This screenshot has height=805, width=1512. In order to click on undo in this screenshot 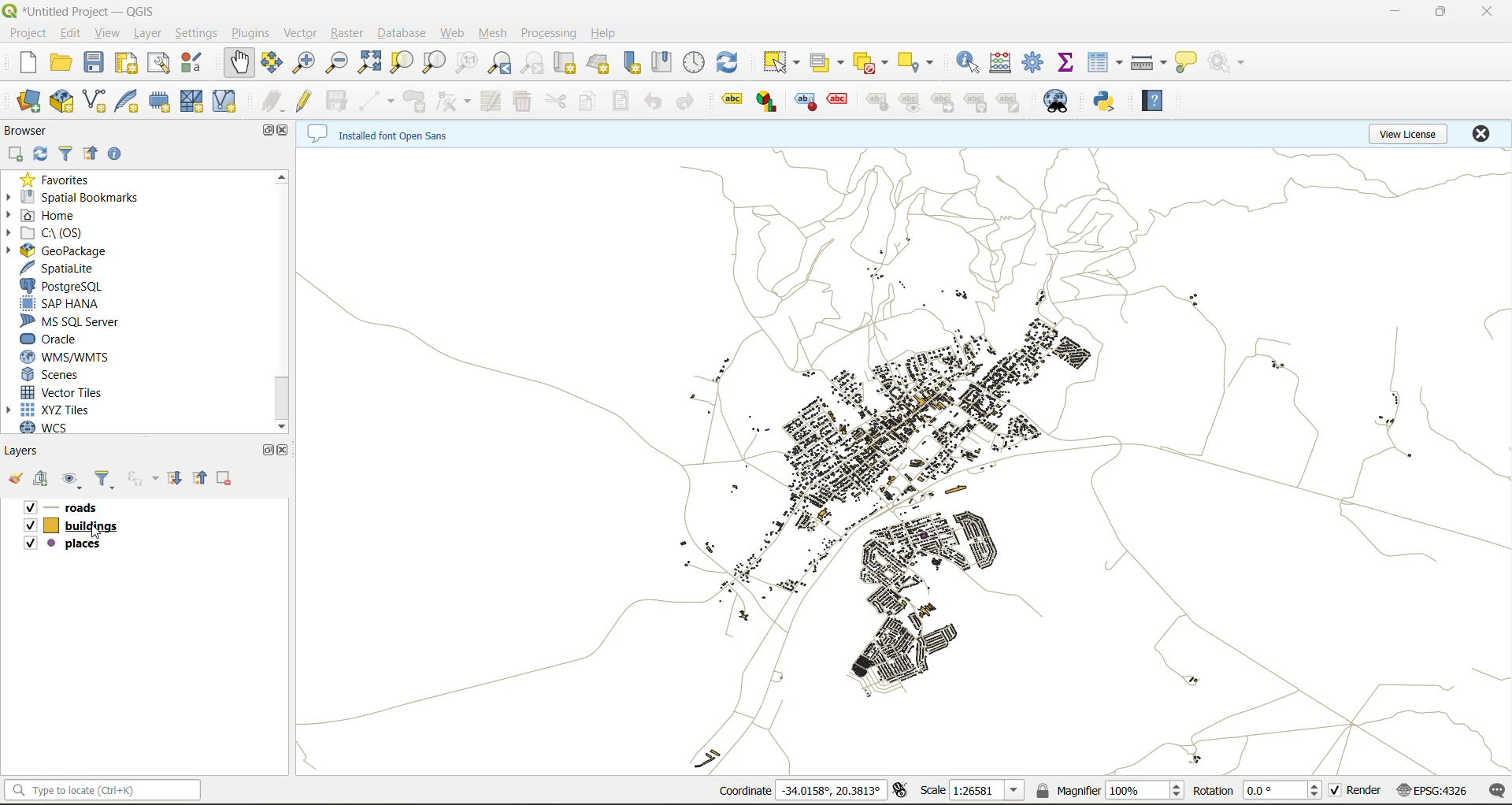, I will do `click(650, 104)`.